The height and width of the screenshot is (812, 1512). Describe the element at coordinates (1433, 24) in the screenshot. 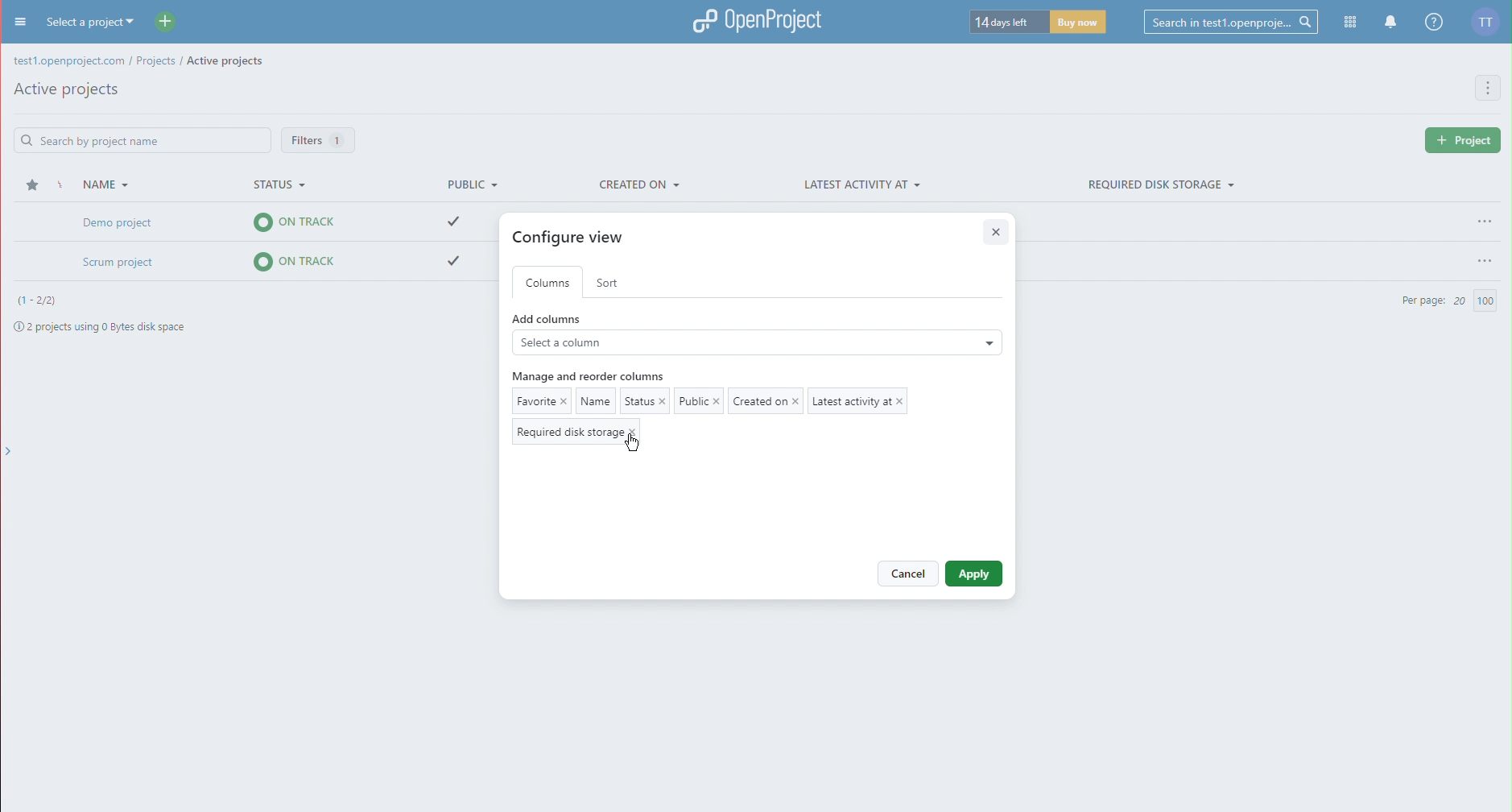

I see `Help` at that location.